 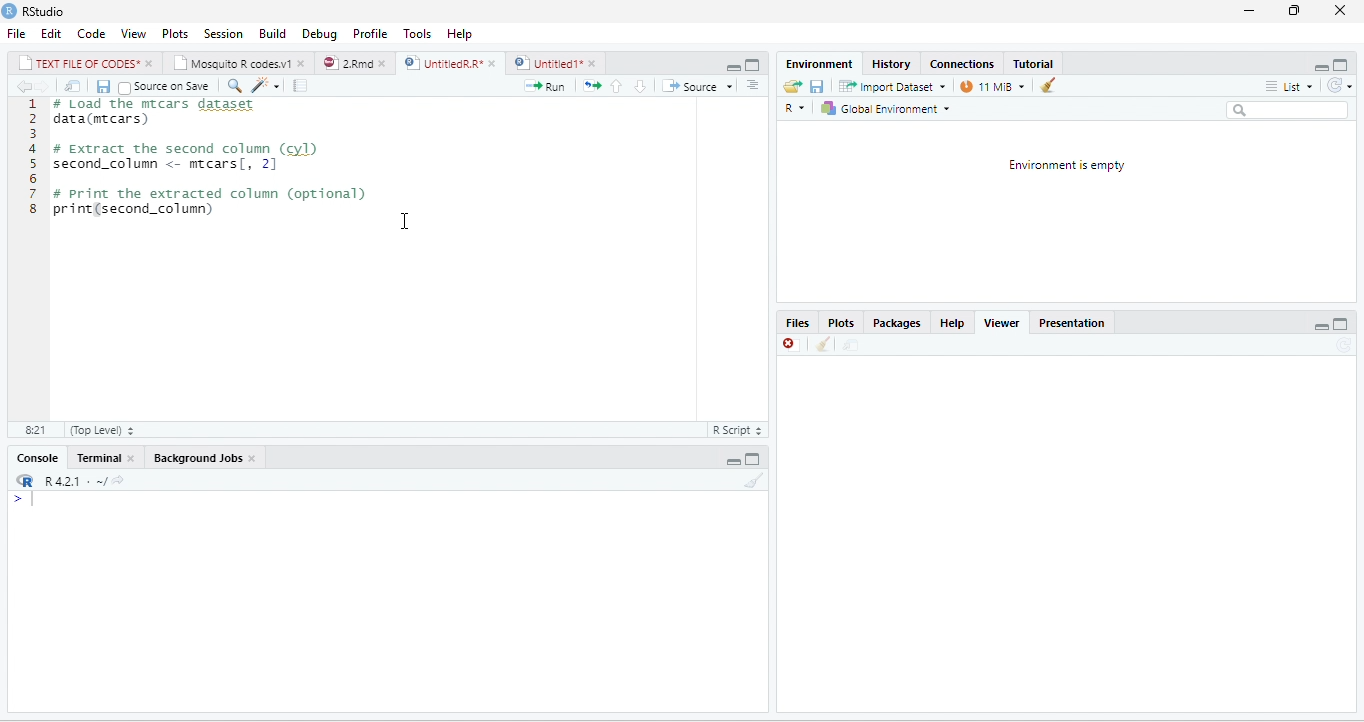 What do you see at coordinates (848, 346) in the screenshot?
I see `move` at bounding box center [848, 346].